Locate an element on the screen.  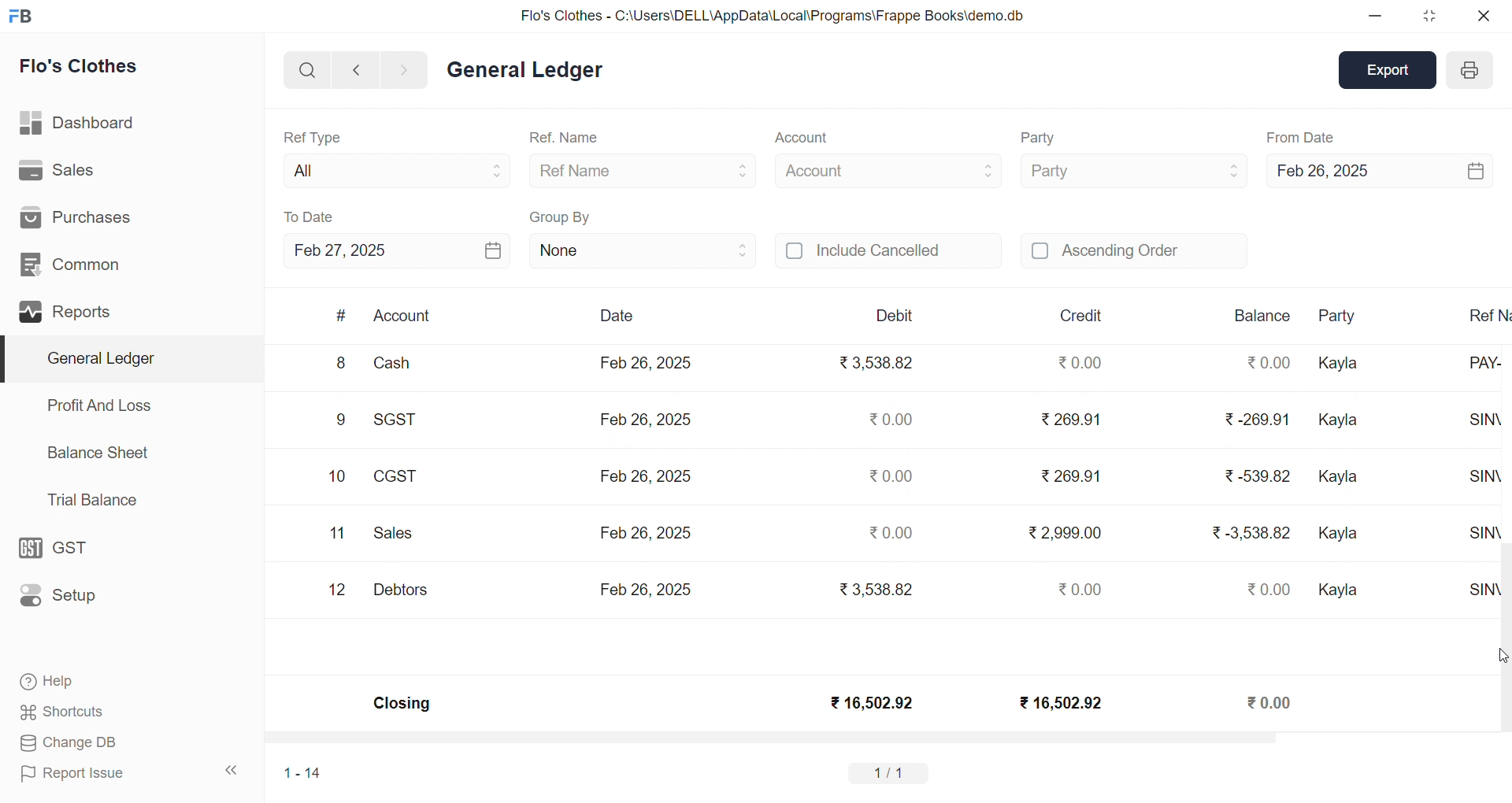
Kayla is located at coordinates (1342, 479).